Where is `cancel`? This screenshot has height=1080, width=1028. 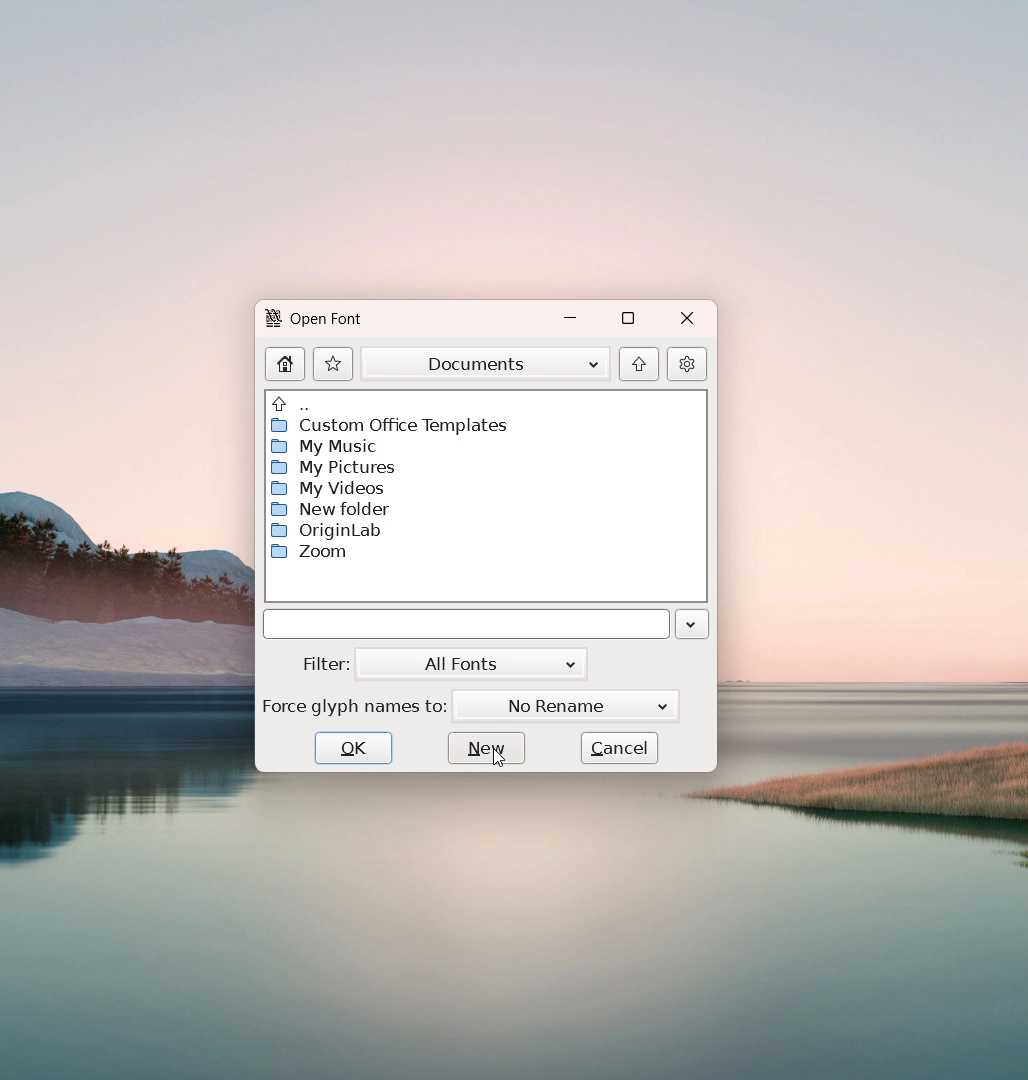
cancel is located at coordinates (619, 747).